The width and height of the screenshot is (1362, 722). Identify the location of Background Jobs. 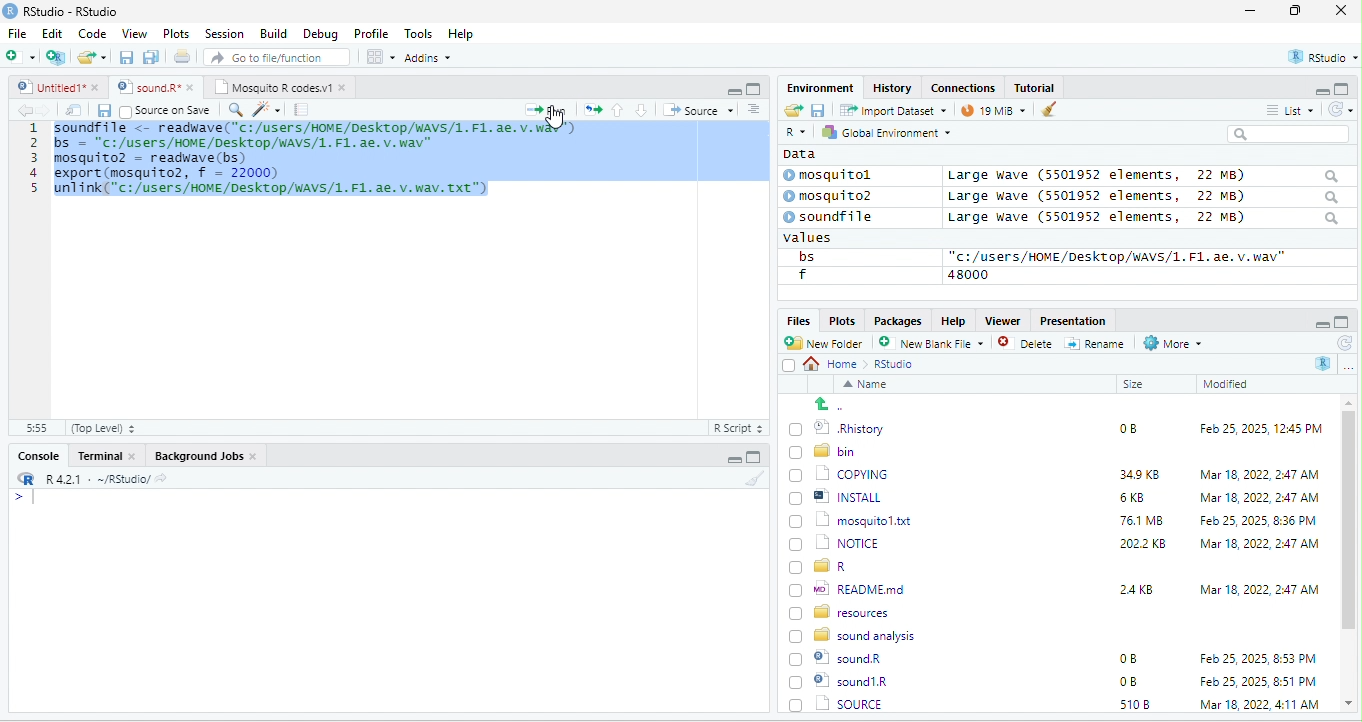
(205, 455).